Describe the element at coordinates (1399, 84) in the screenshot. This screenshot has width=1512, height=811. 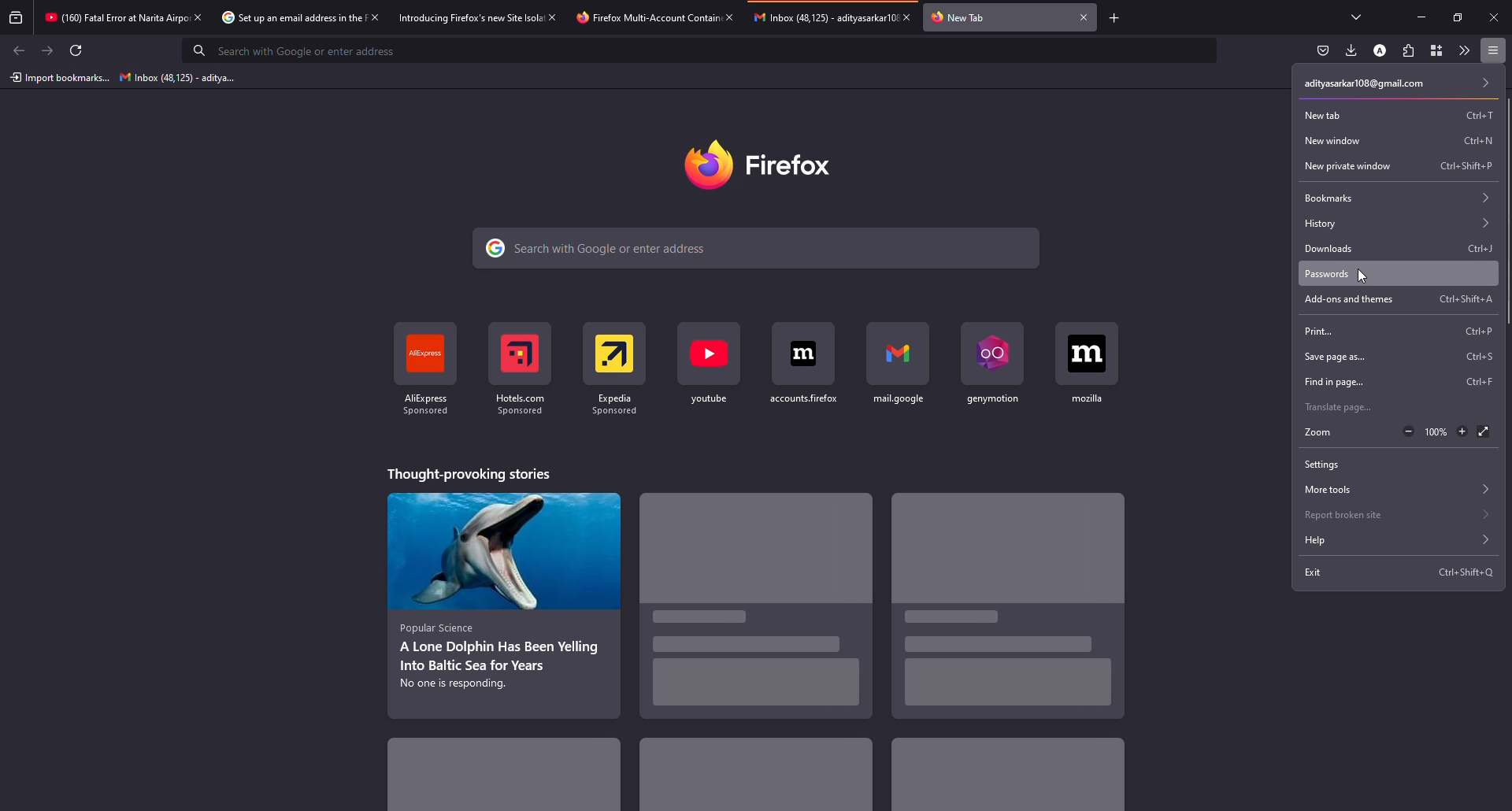
I see `account` at that location.